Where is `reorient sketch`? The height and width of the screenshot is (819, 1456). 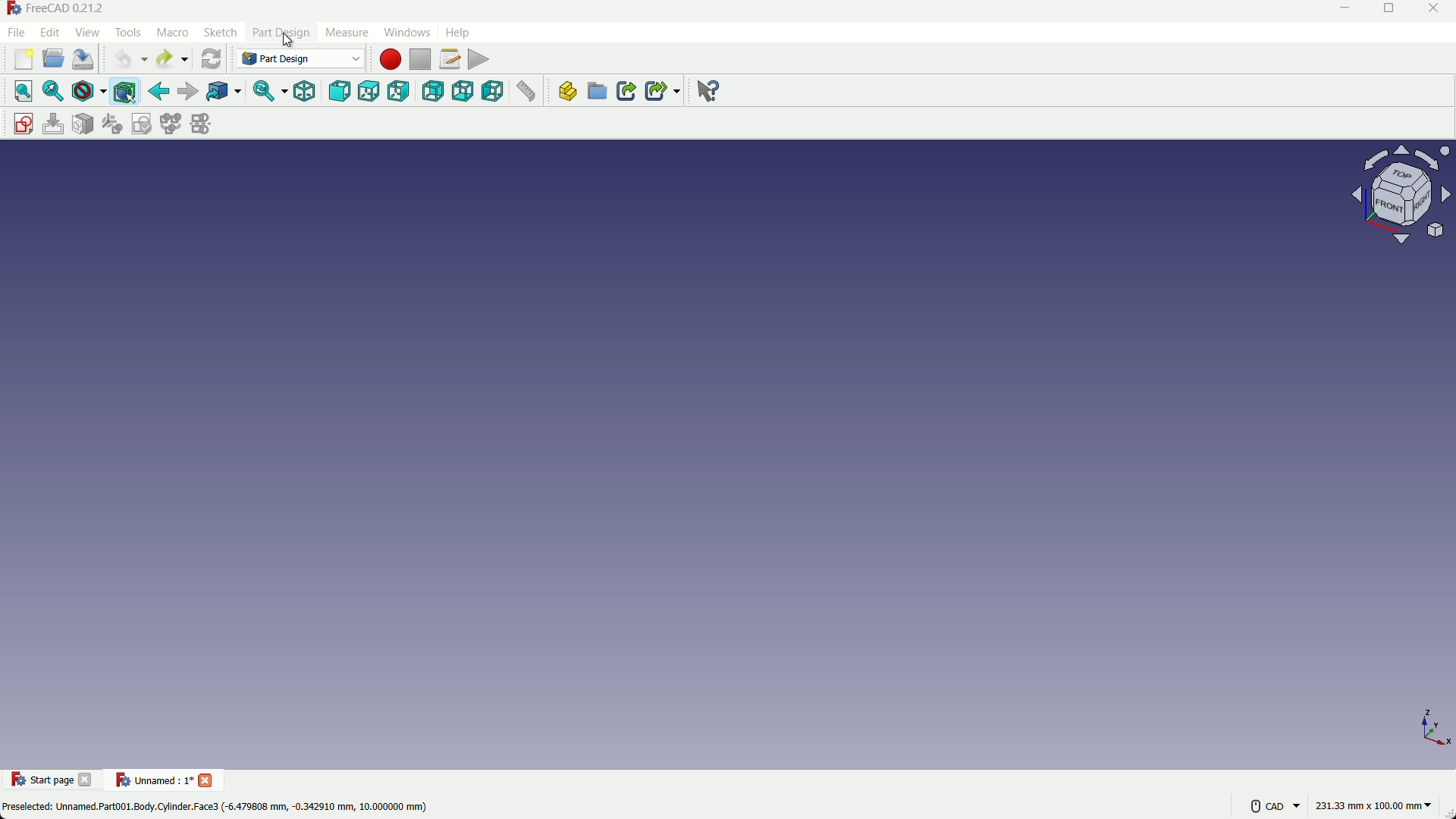
reorient sketch is located at coordinates (111, 124).